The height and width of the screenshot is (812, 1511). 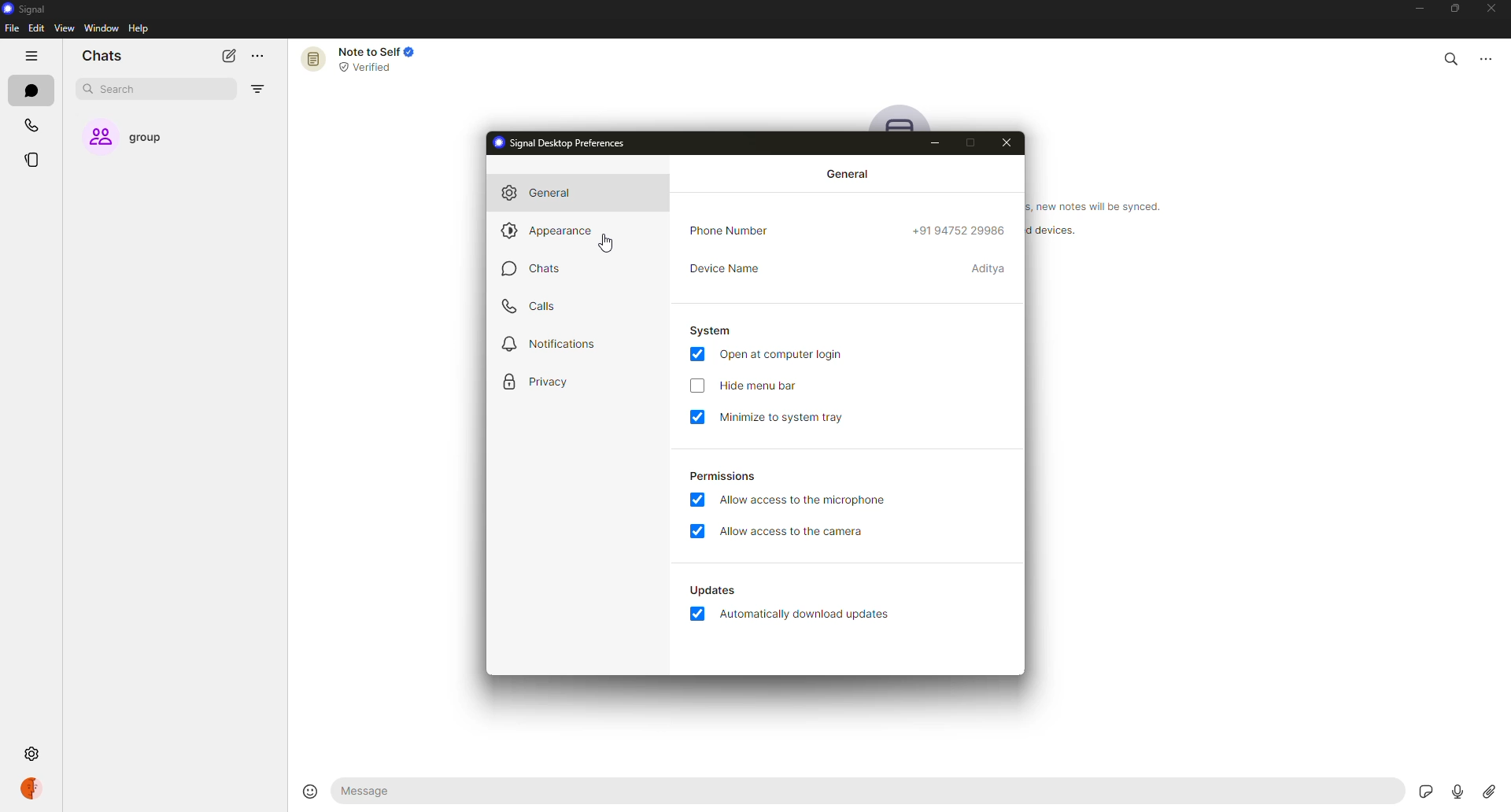 I want to click on general, so click(x=848, y=173).